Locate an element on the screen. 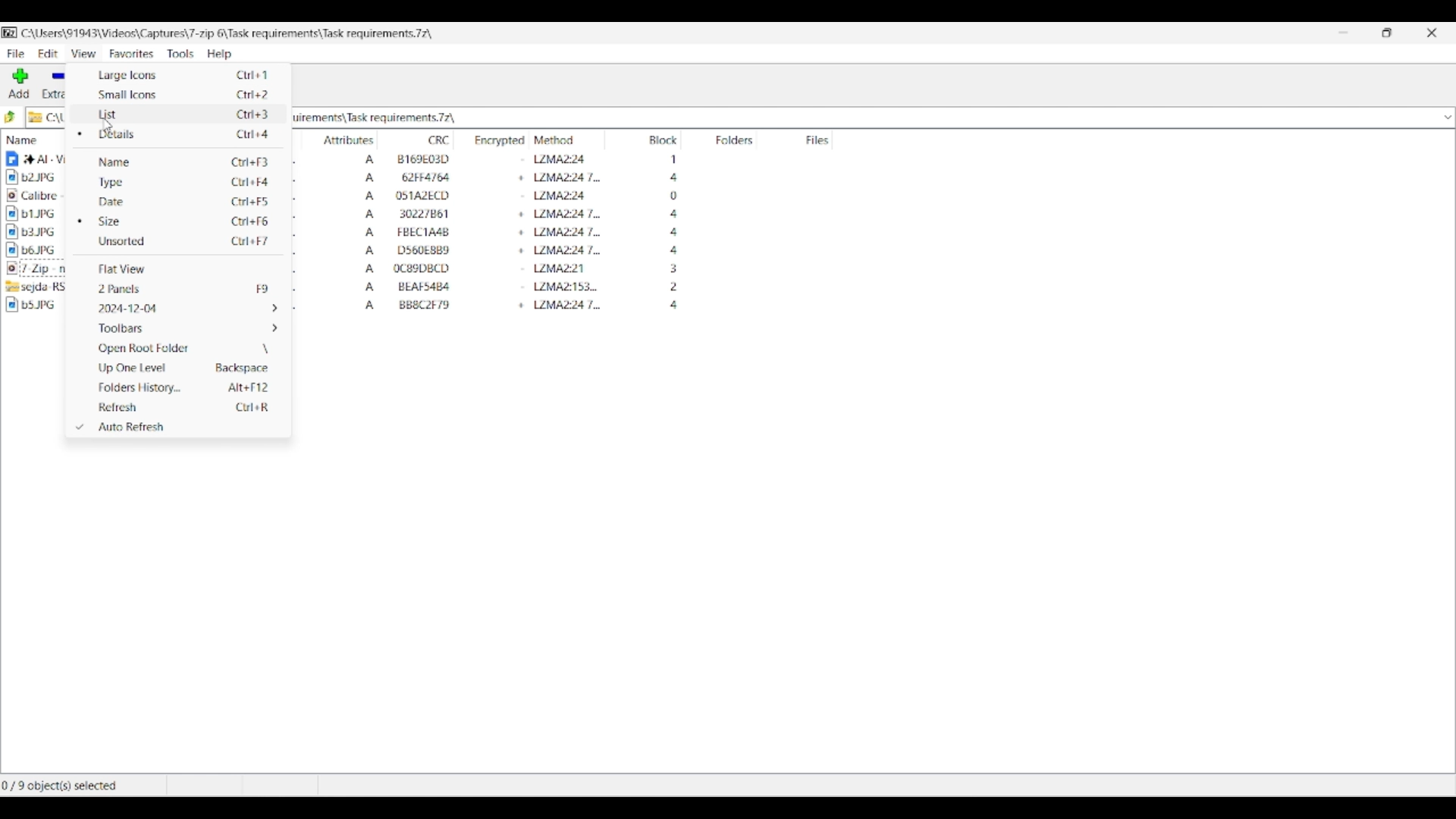 This screenshot has width=1456, height=819. Toolbars options is located at coordinates (184, 328).